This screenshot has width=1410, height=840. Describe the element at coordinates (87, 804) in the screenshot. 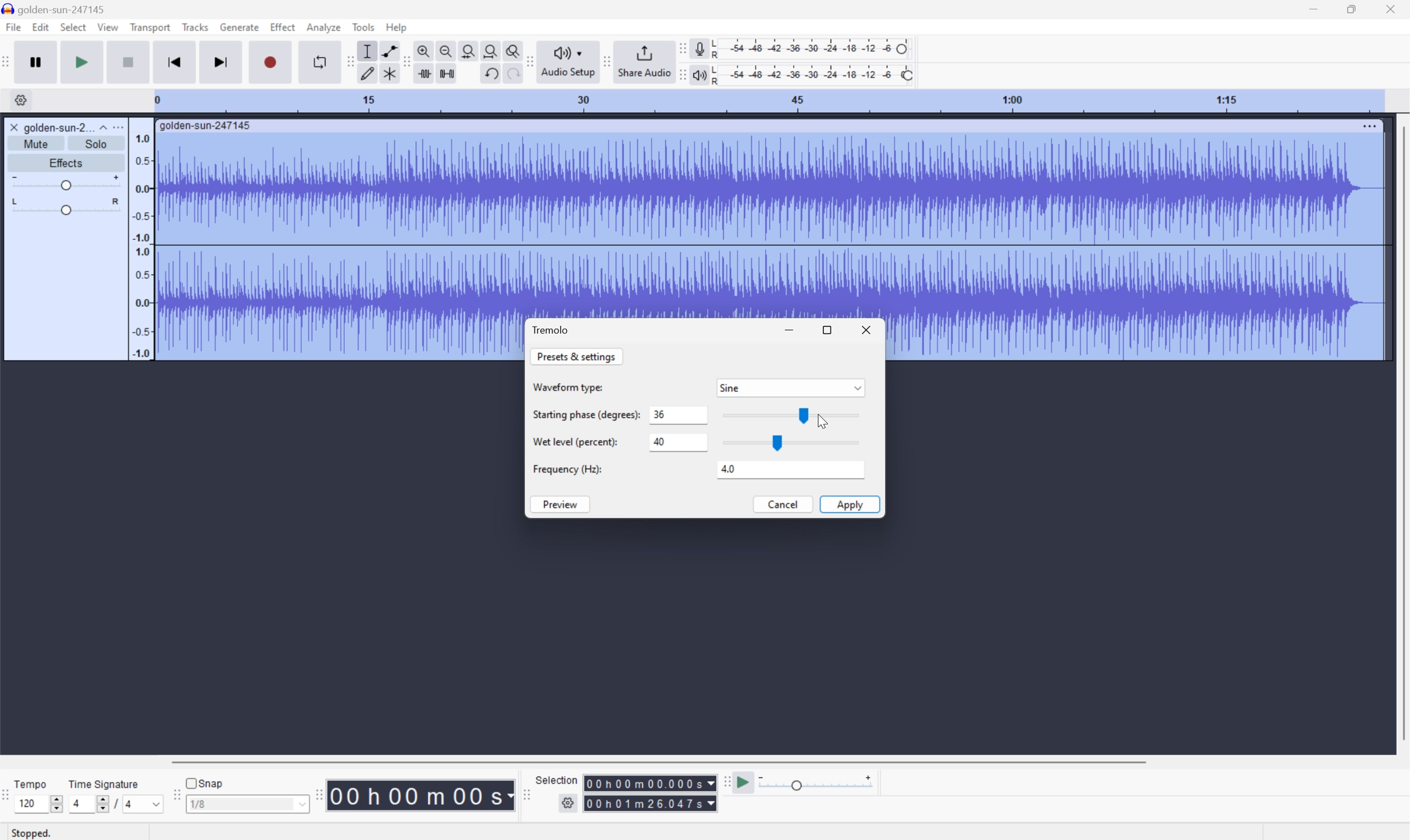

I see `4` at that location.